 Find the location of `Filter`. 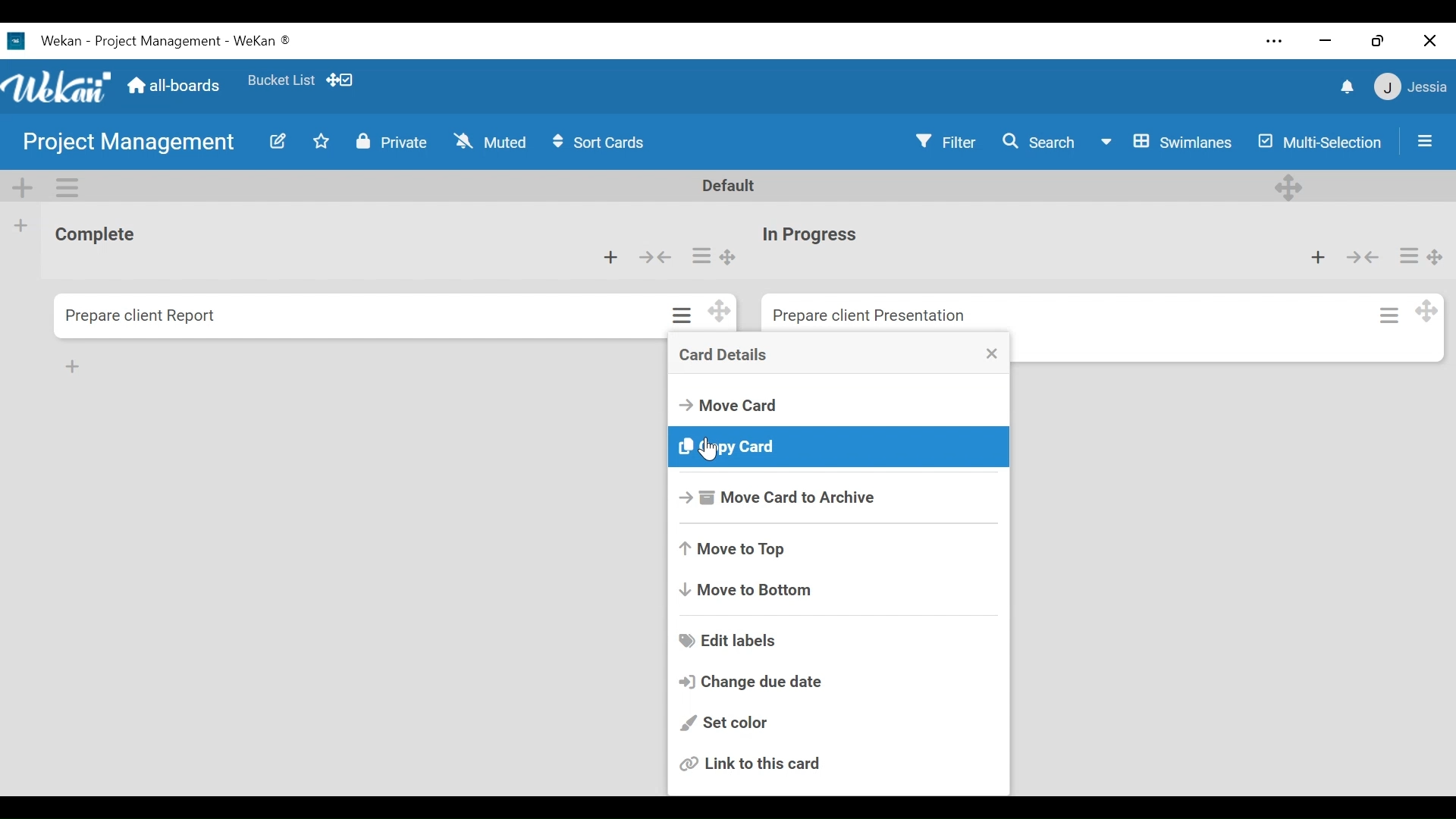

Filter is located at coordinates (948, 140).